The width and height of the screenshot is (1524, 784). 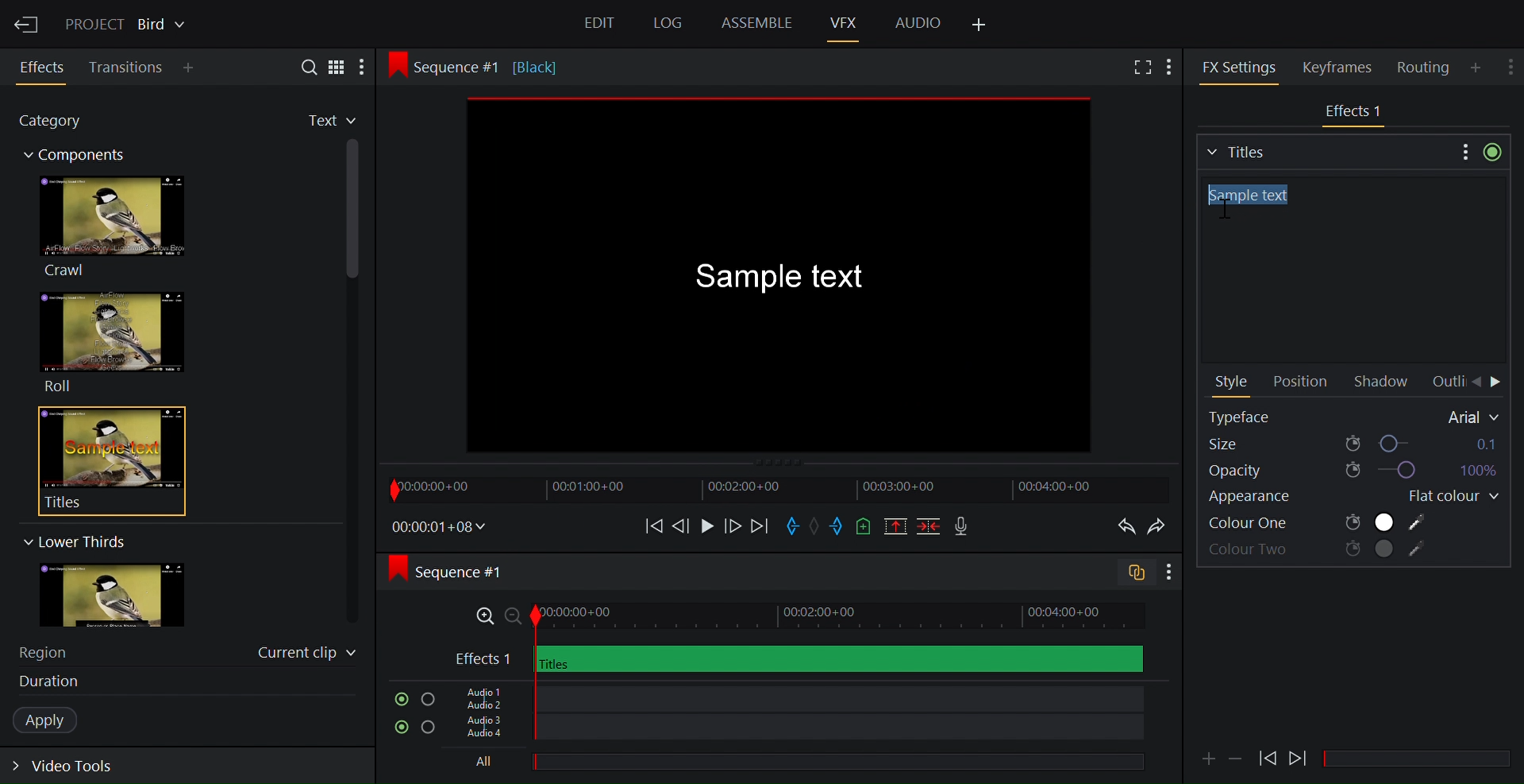 I want to click on Size, so click(x=1353, y=443).